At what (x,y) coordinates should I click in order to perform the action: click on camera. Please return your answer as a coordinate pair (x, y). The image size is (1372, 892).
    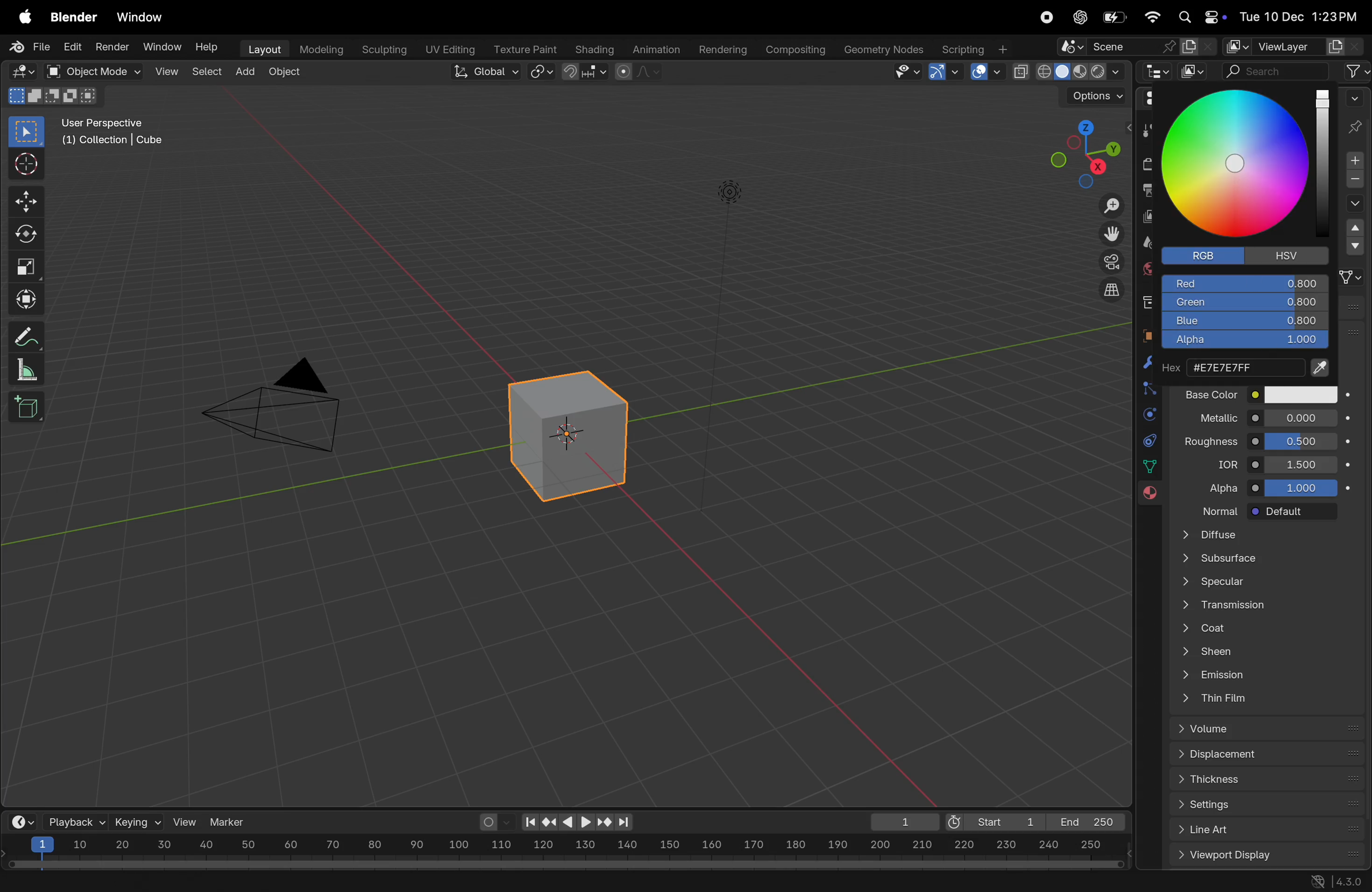
    Looking at the image, I should click on (1109, 262).